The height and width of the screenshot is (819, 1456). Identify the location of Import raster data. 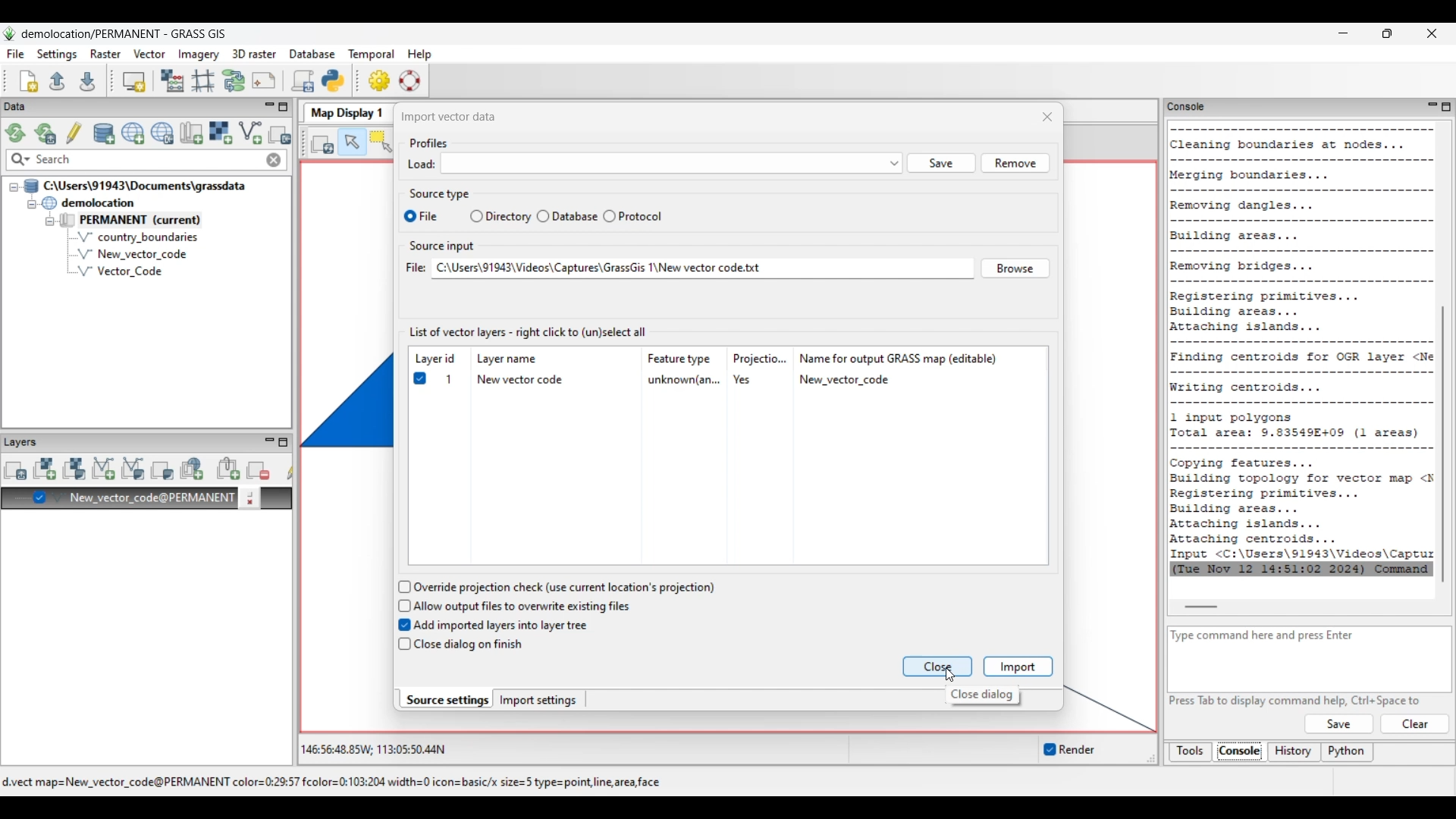
(220, 133).